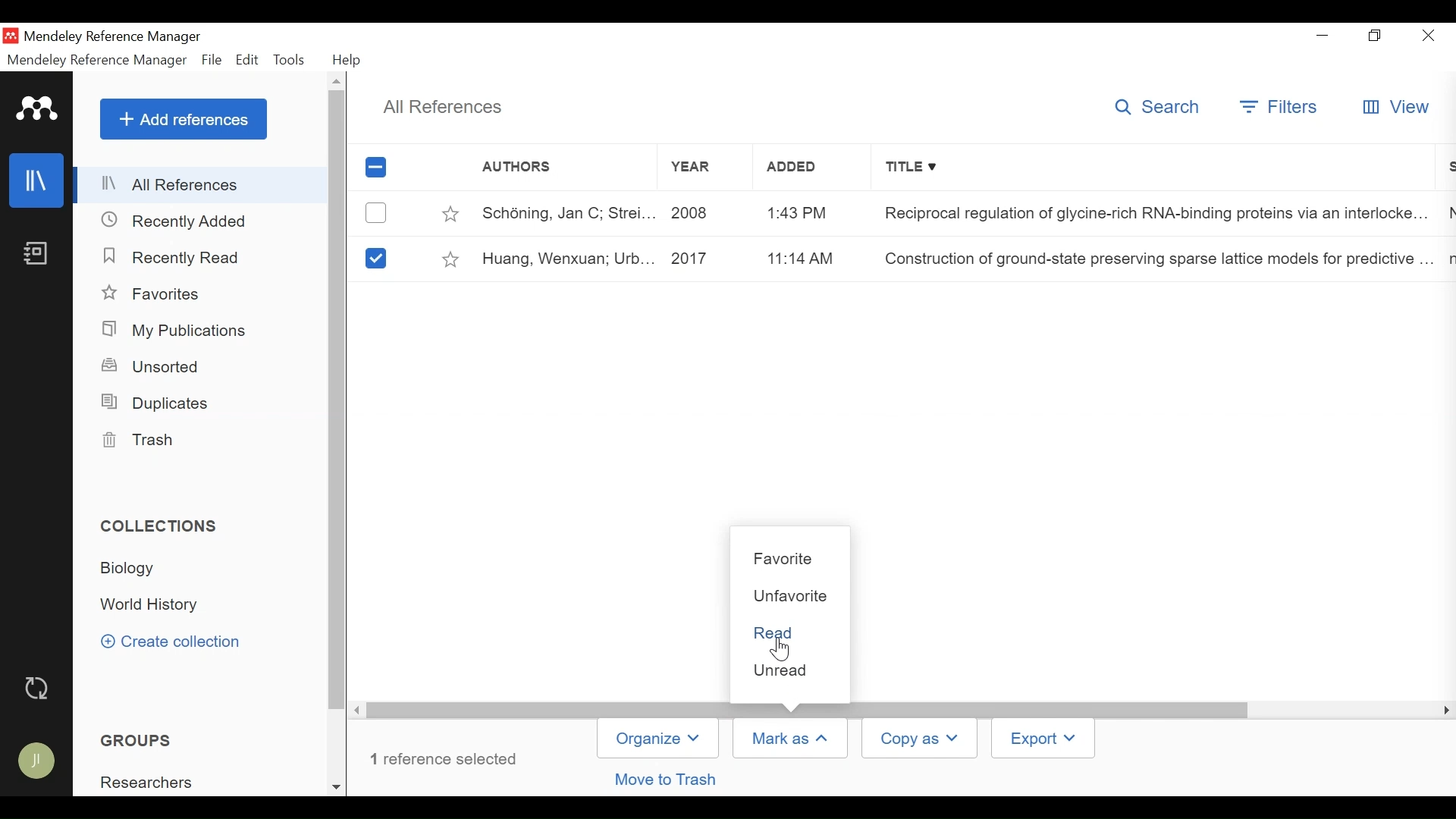  I want to click on Collection, so click(165, 605).